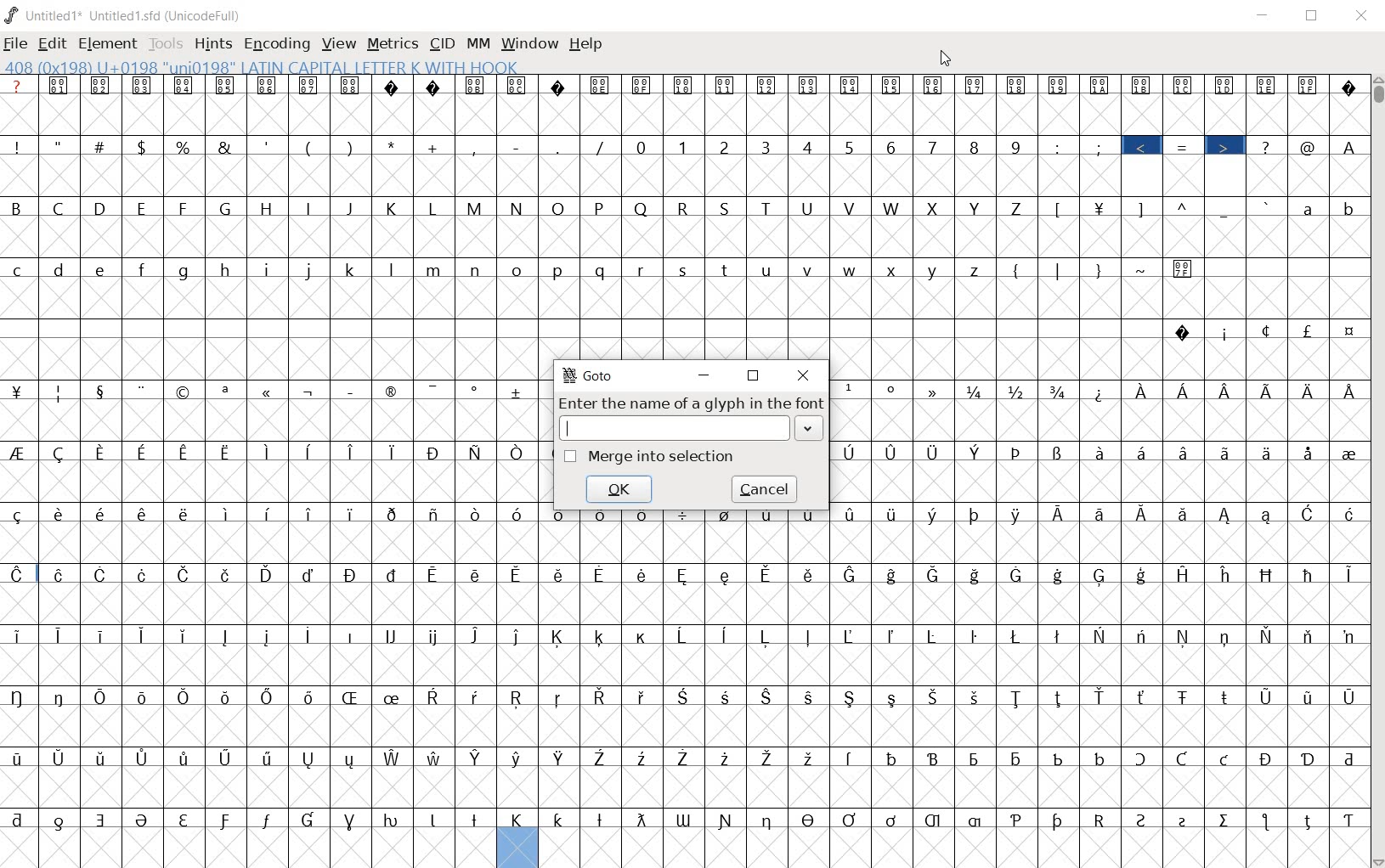 The image size is (1385, 868). I want to click on small letters c - z, so click(500, 268).